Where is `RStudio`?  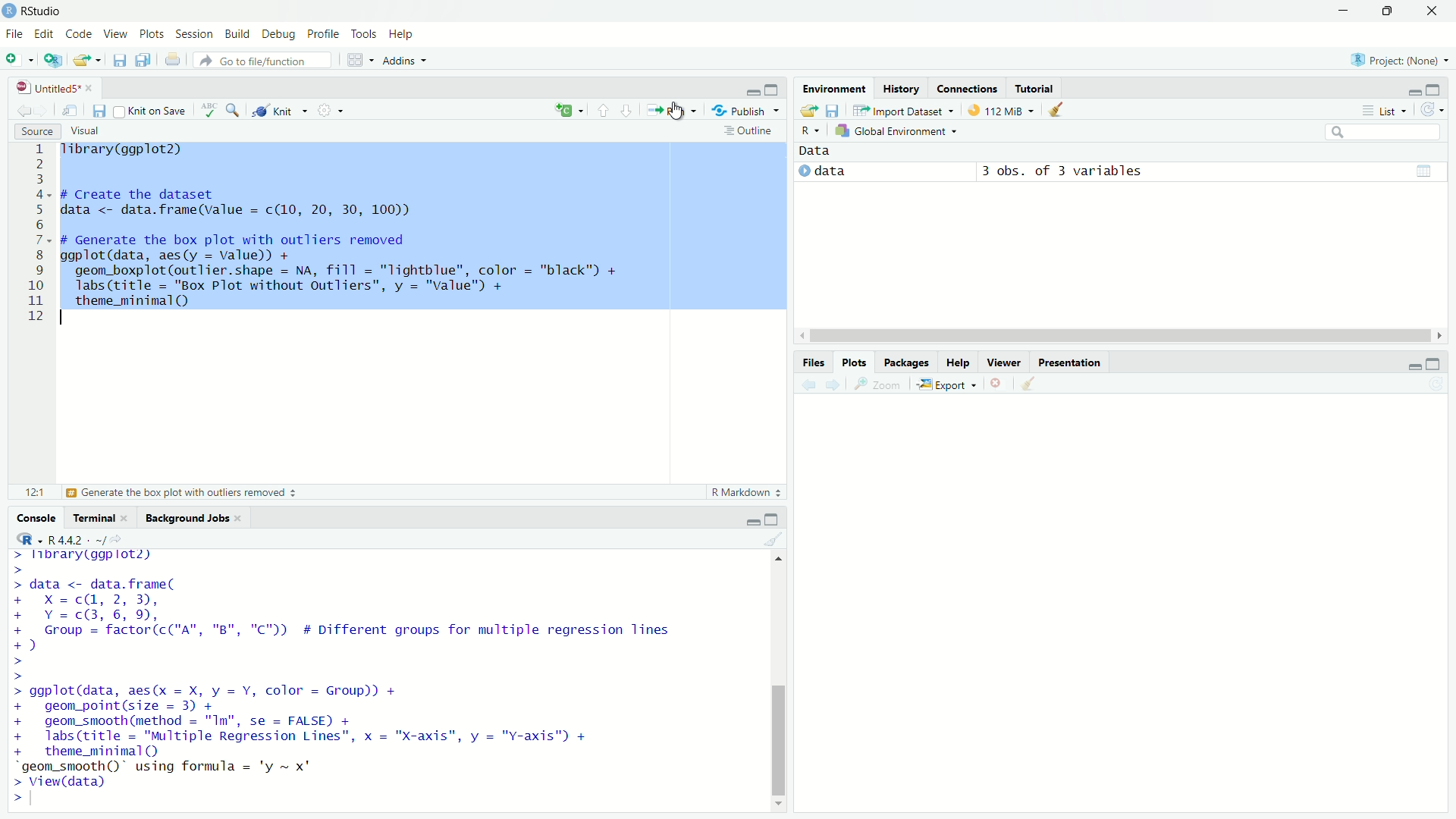 RStudio is located at coordinates (36, 10).